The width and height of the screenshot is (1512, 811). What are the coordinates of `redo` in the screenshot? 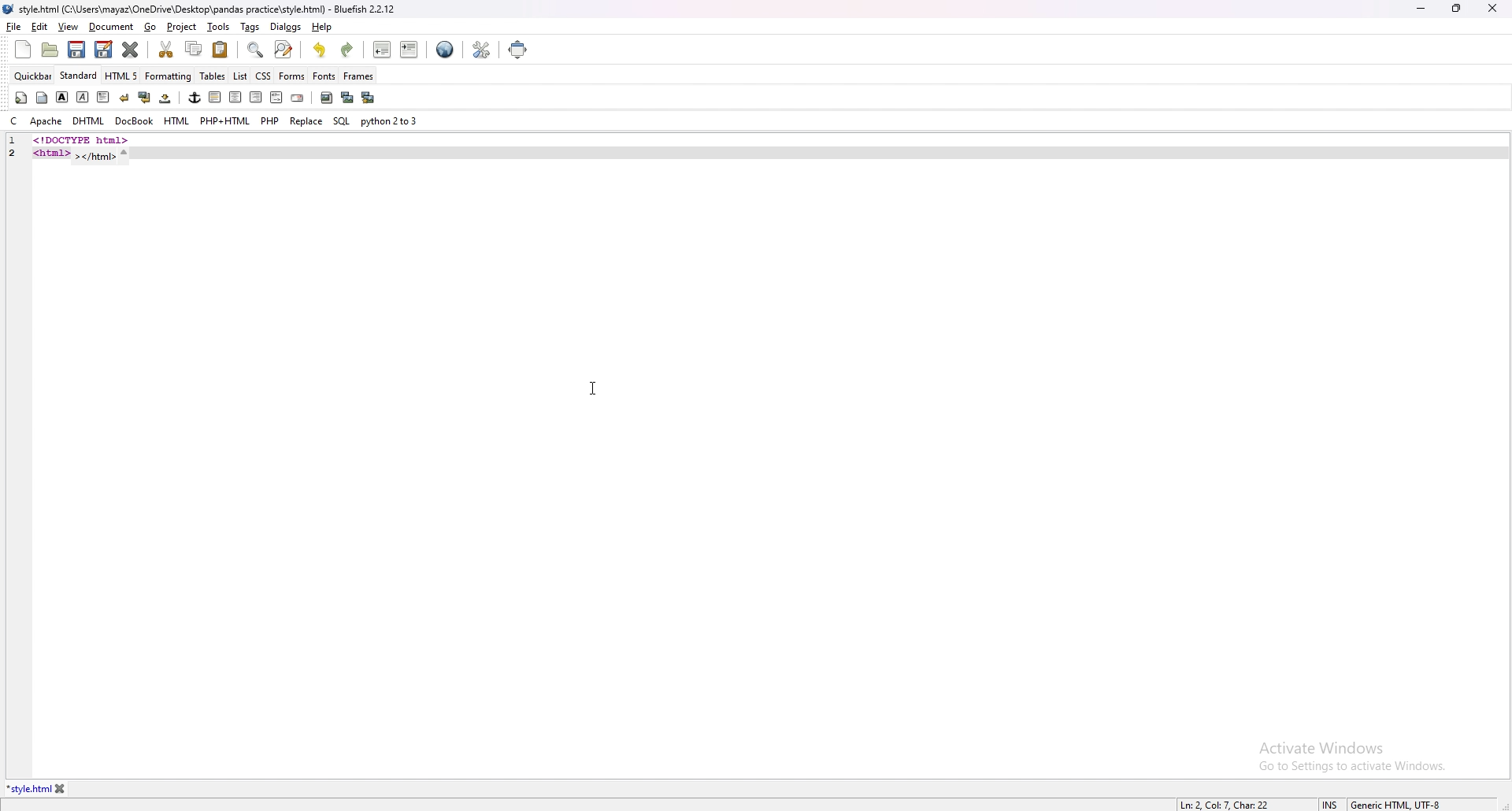 It's located at (346, 50).